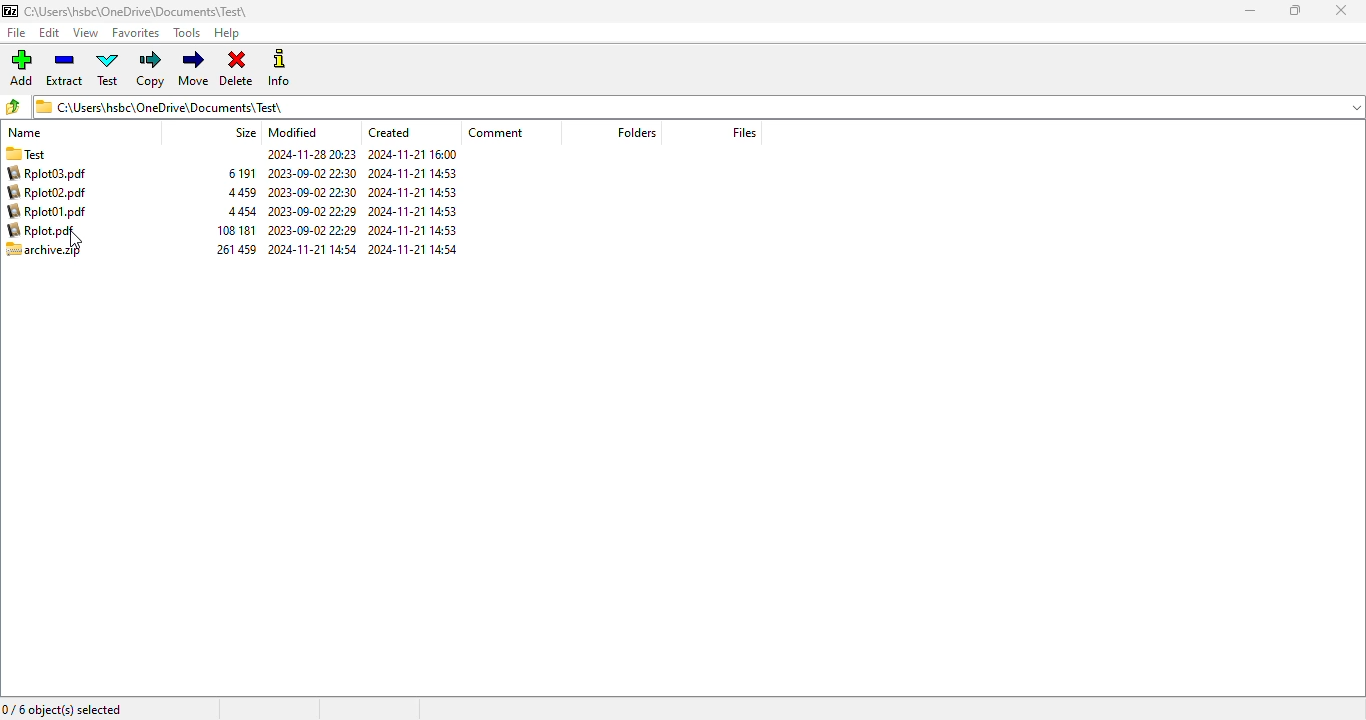 The image size is (1366, 720). What do you see at coordinates (744, 132) in the screenshot?
I see `files` at bounding box center [744, 132].